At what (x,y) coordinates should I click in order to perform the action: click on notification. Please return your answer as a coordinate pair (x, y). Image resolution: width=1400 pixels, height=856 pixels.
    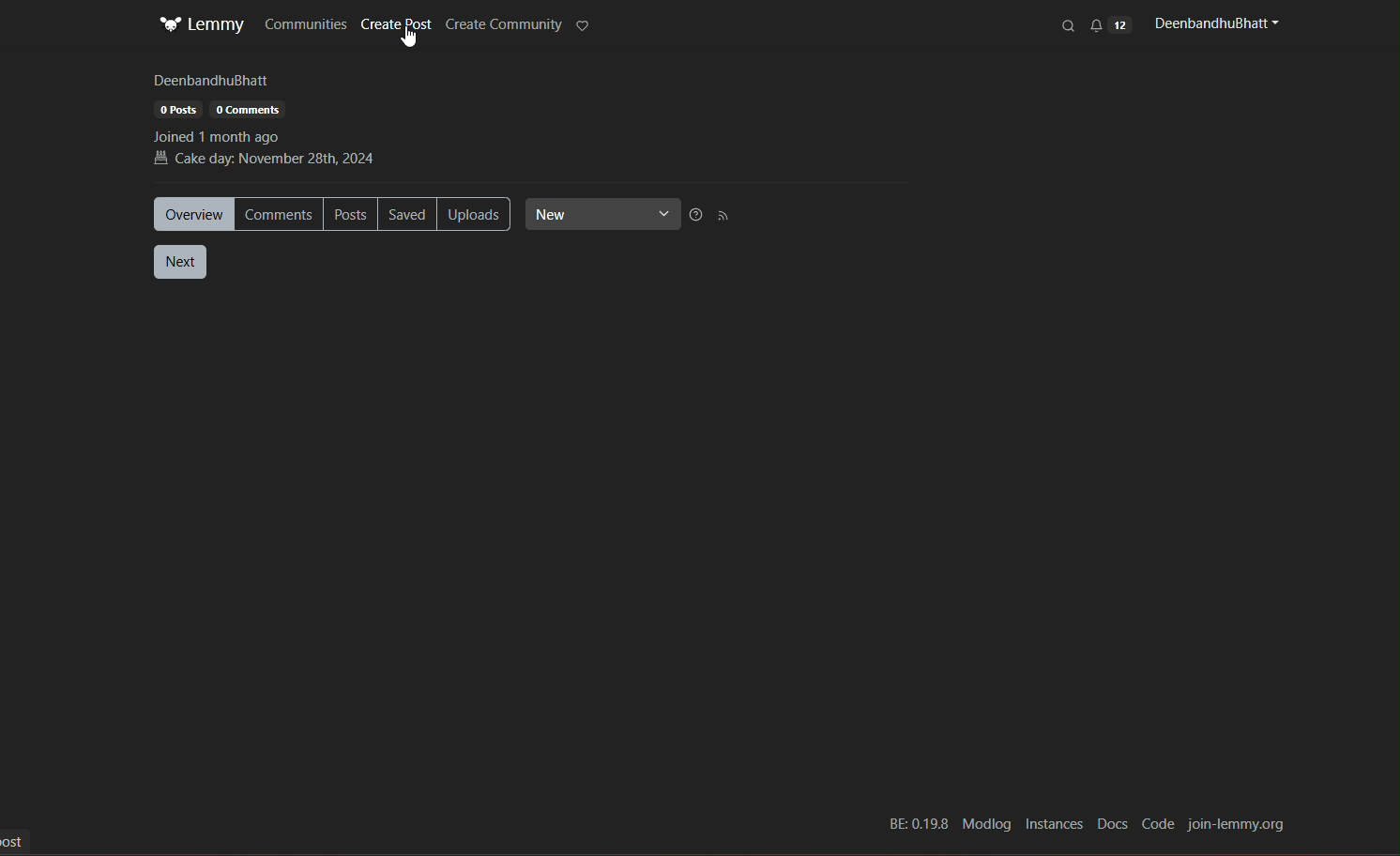
    Looking at the image, I should click on (1110, 24).